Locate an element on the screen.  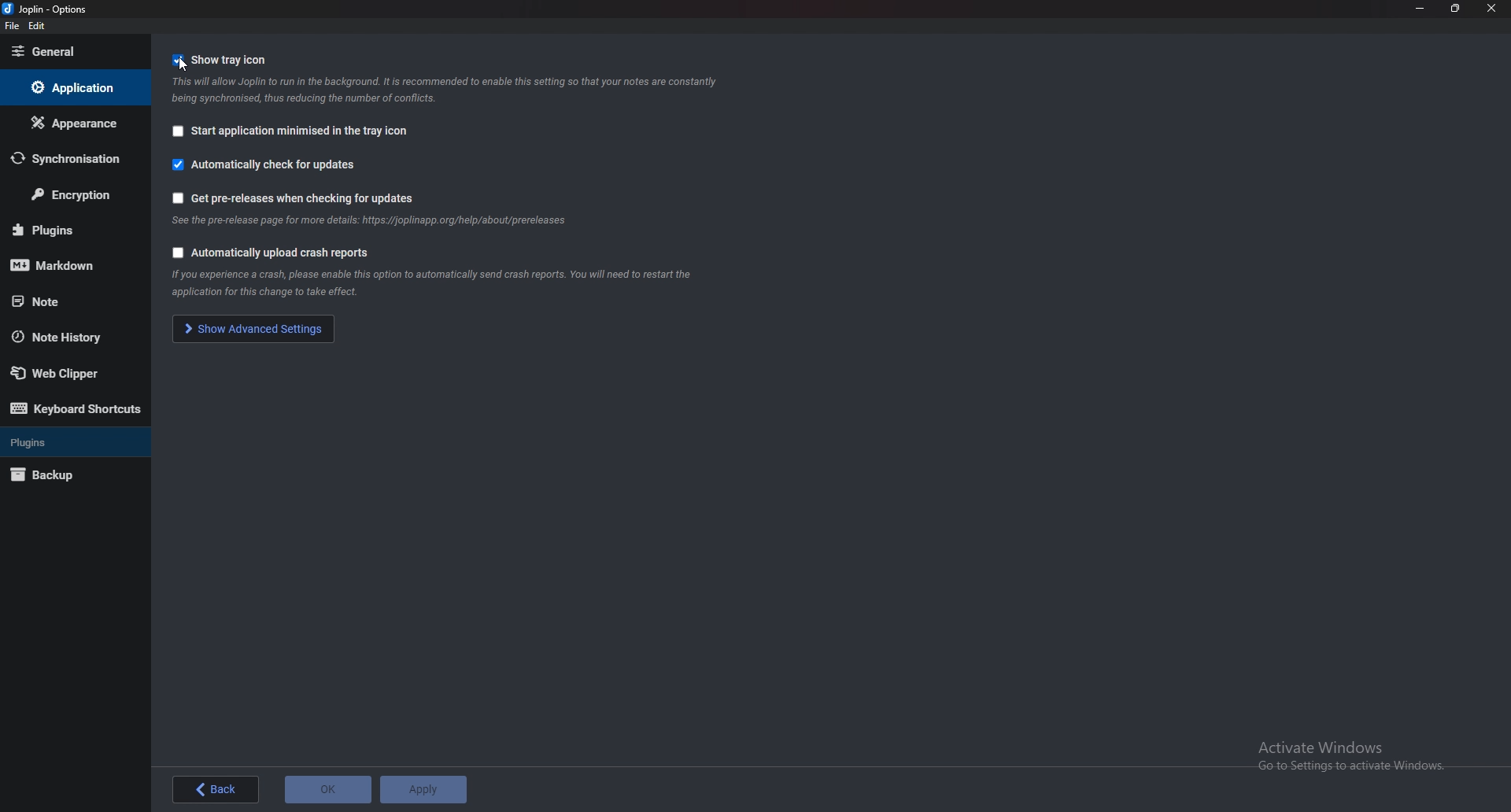
Mark down is located at coordinates (68, 264).